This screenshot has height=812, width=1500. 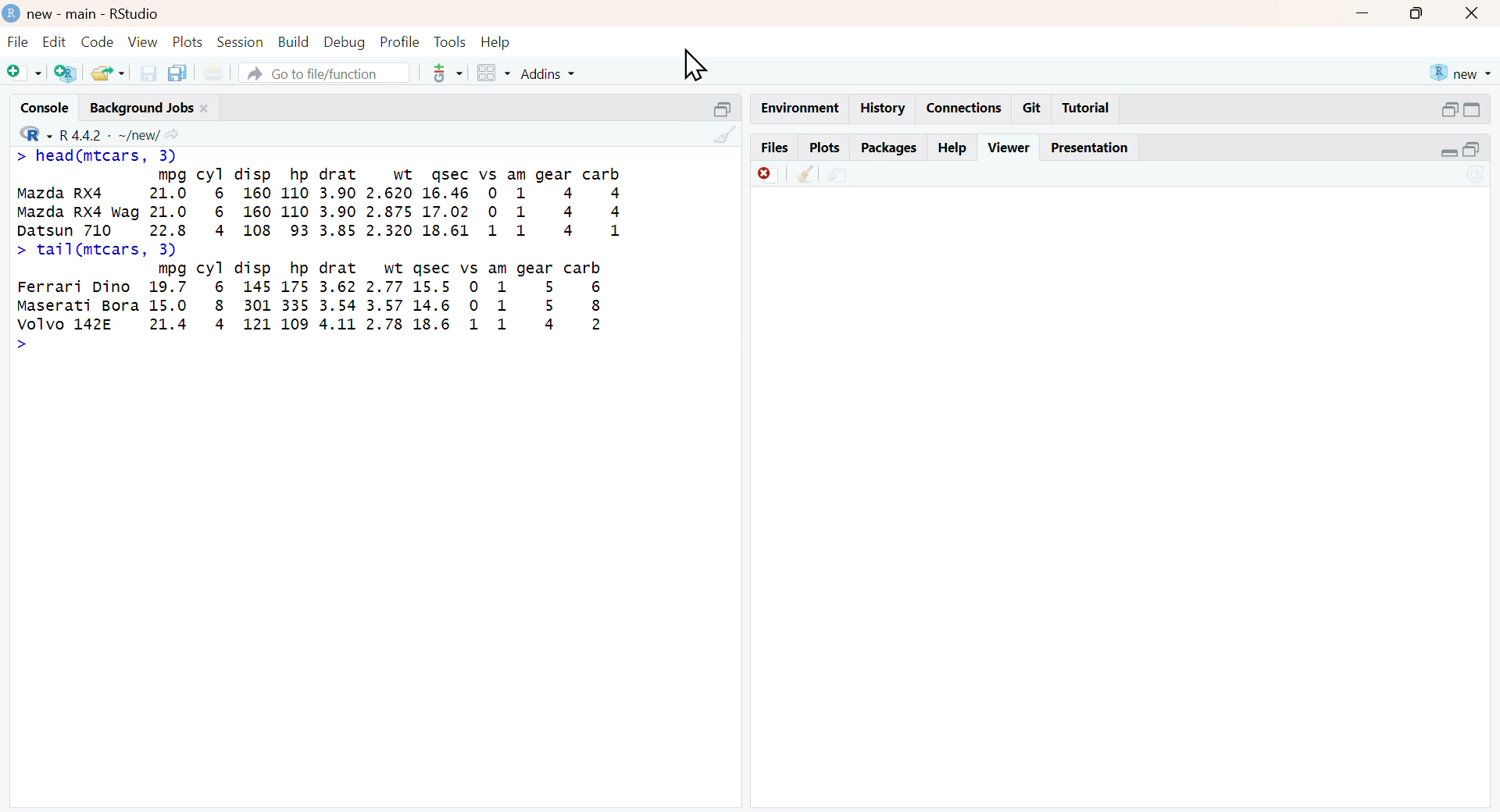 What do you see at coordinates (712, 107) in the screenshot?
I see `Minimize` at bounding box center [712, 107].